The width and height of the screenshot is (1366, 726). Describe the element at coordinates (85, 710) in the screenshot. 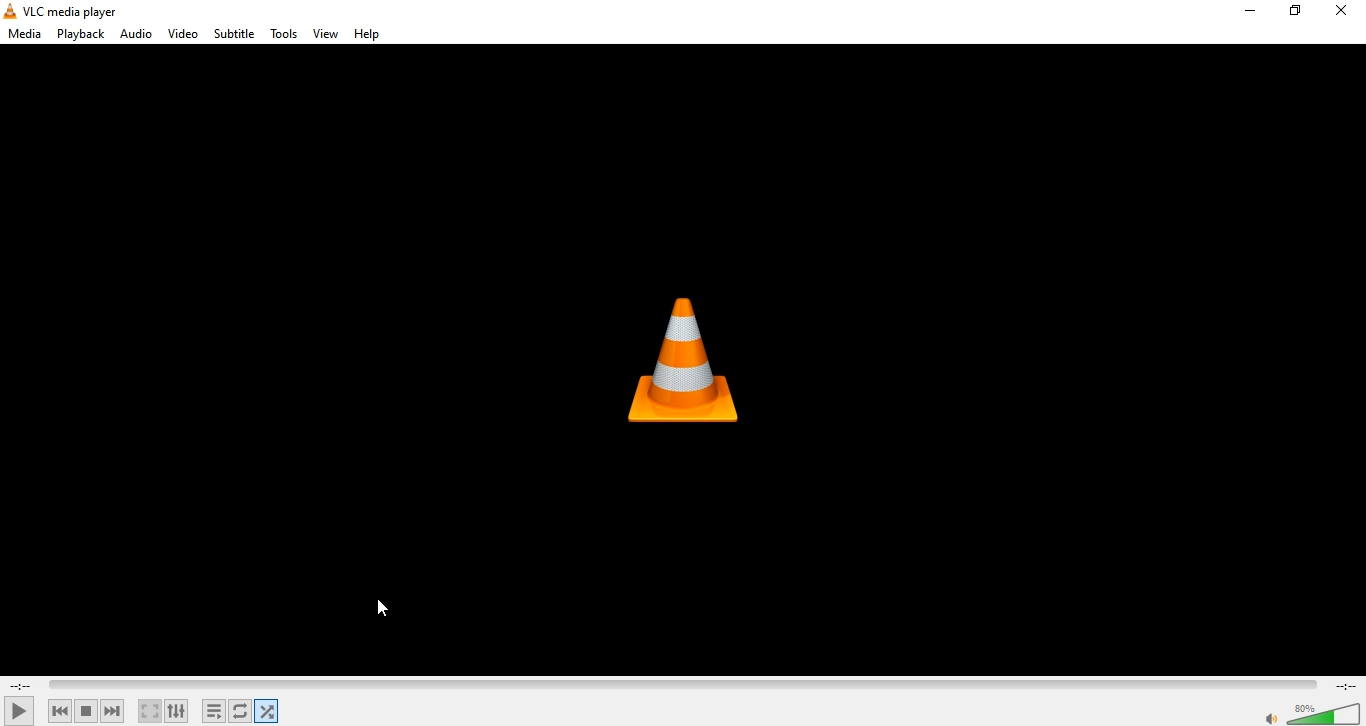

I see `stop playback` at that location.